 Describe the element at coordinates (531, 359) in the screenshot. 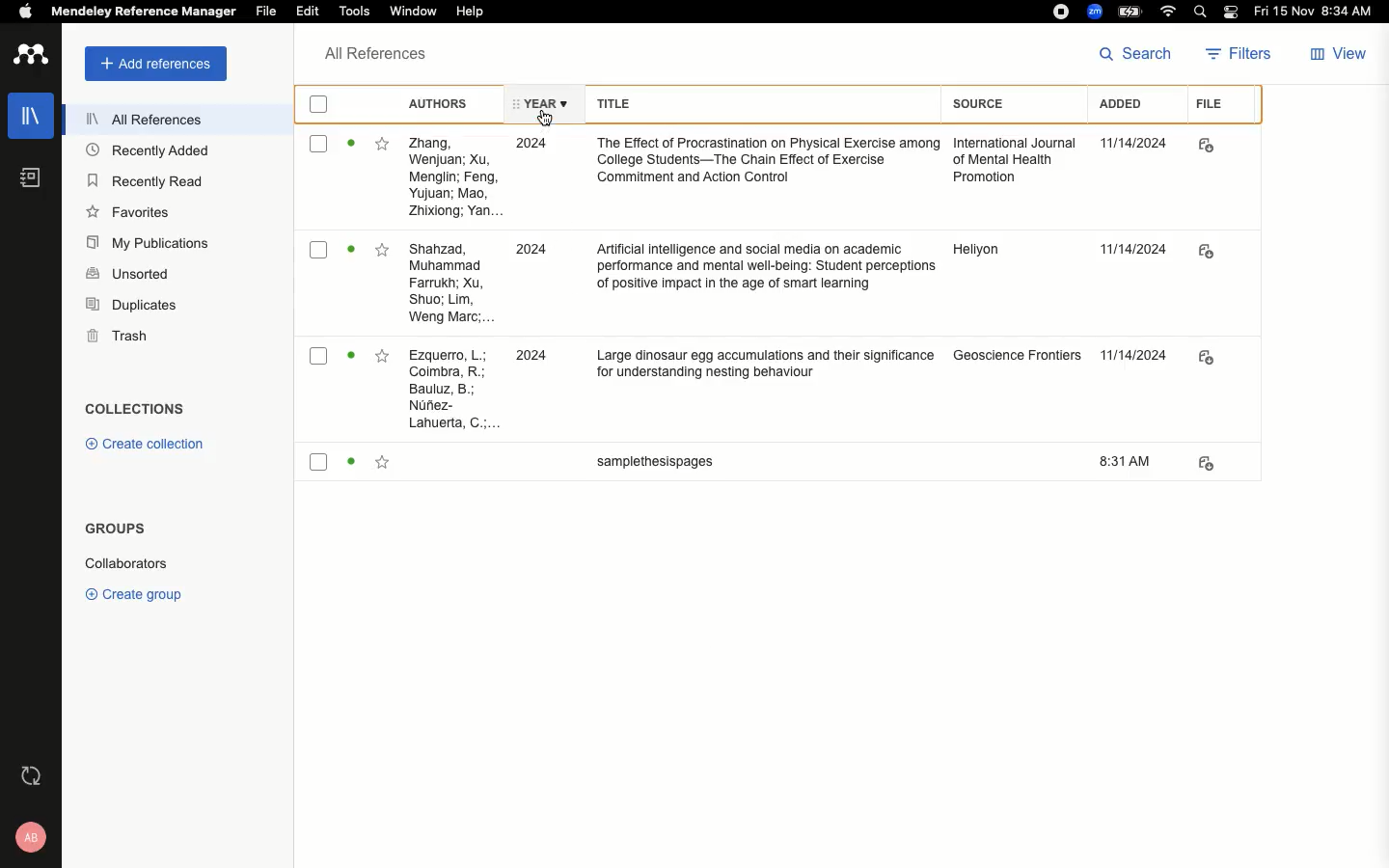

I see `year of publication` at that location.